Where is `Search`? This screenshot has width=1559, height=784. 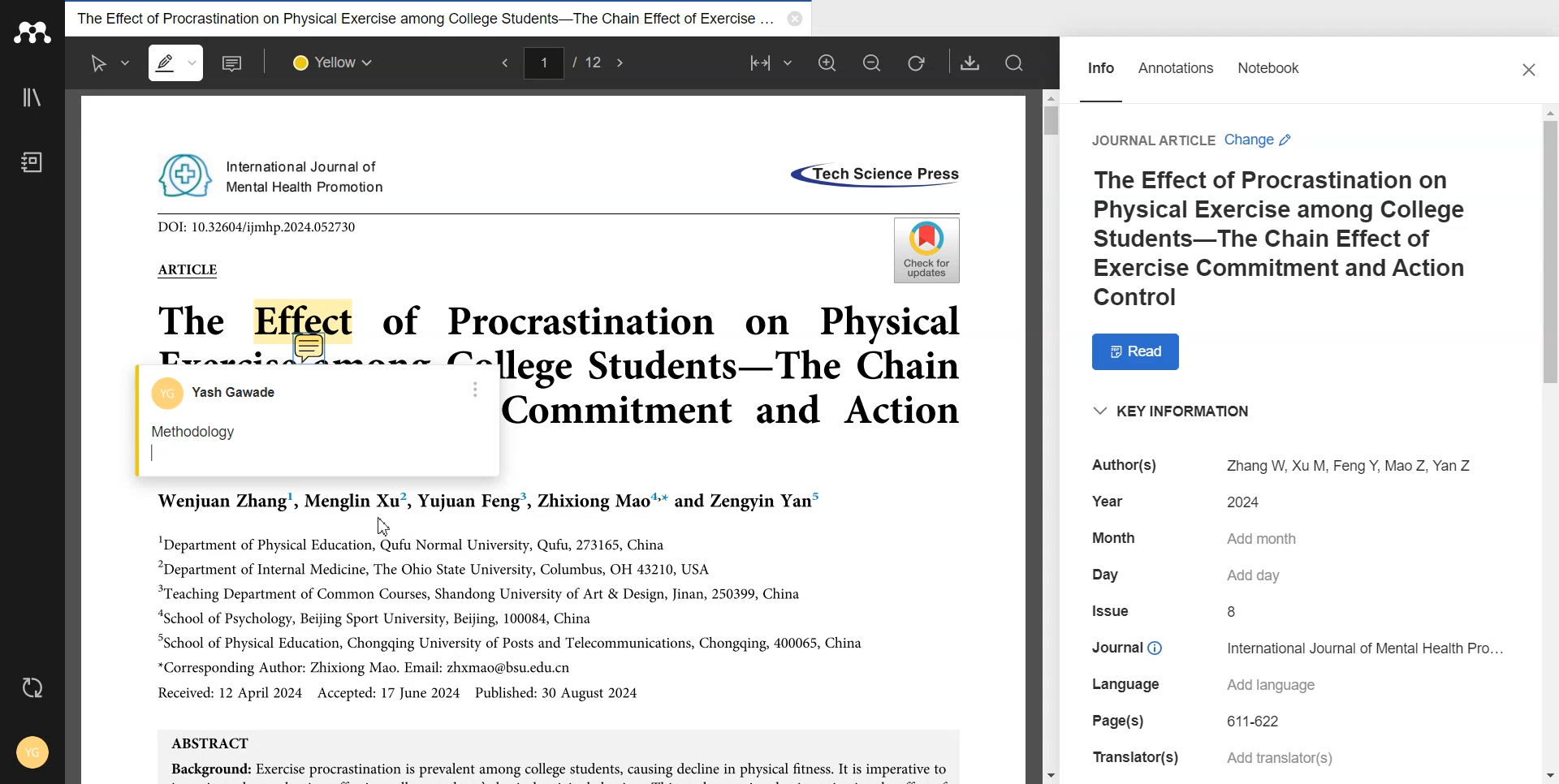
Search is located at coordinates (1016, 62).